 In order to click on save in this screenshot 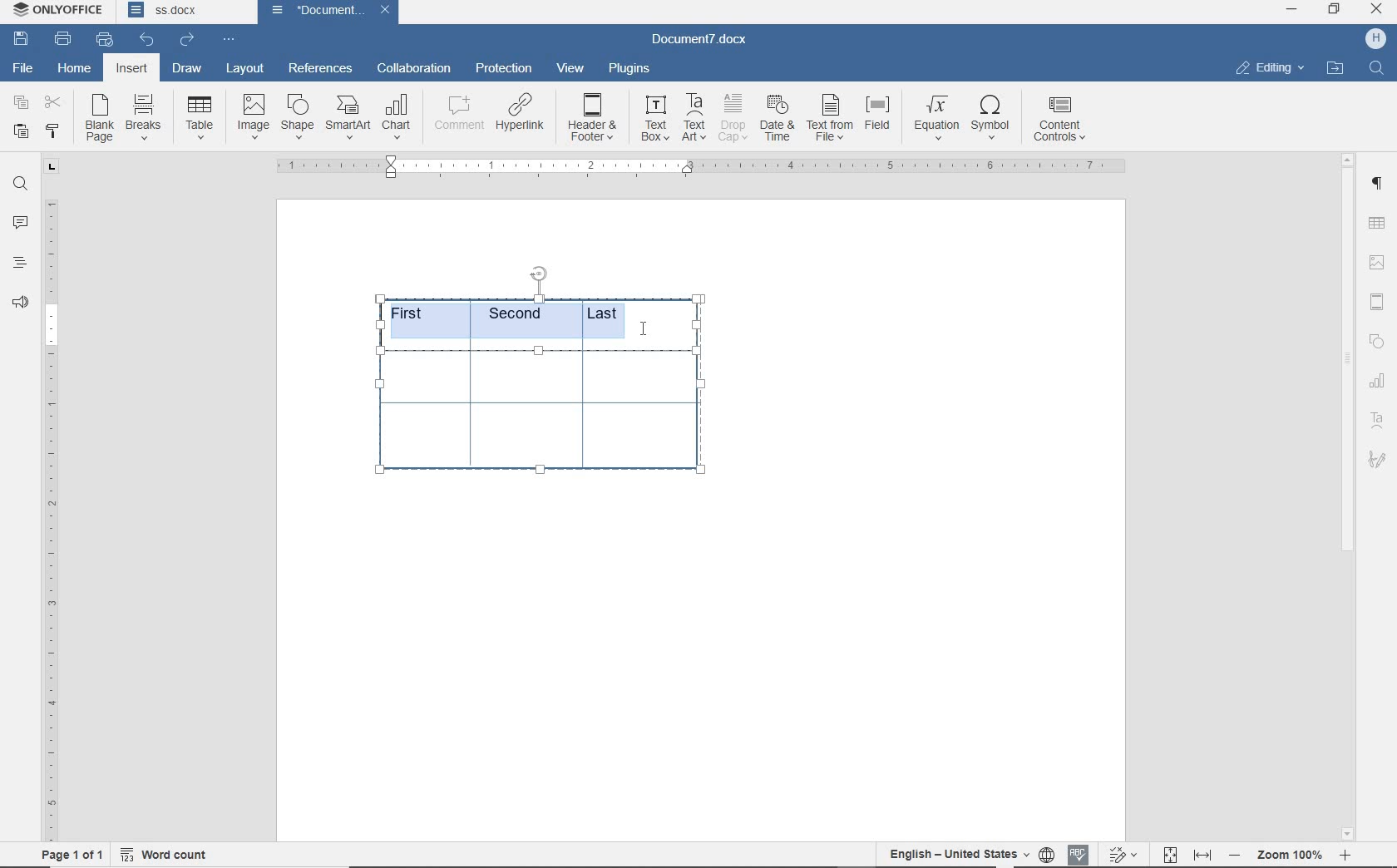, I will do `click(24, 40)`.